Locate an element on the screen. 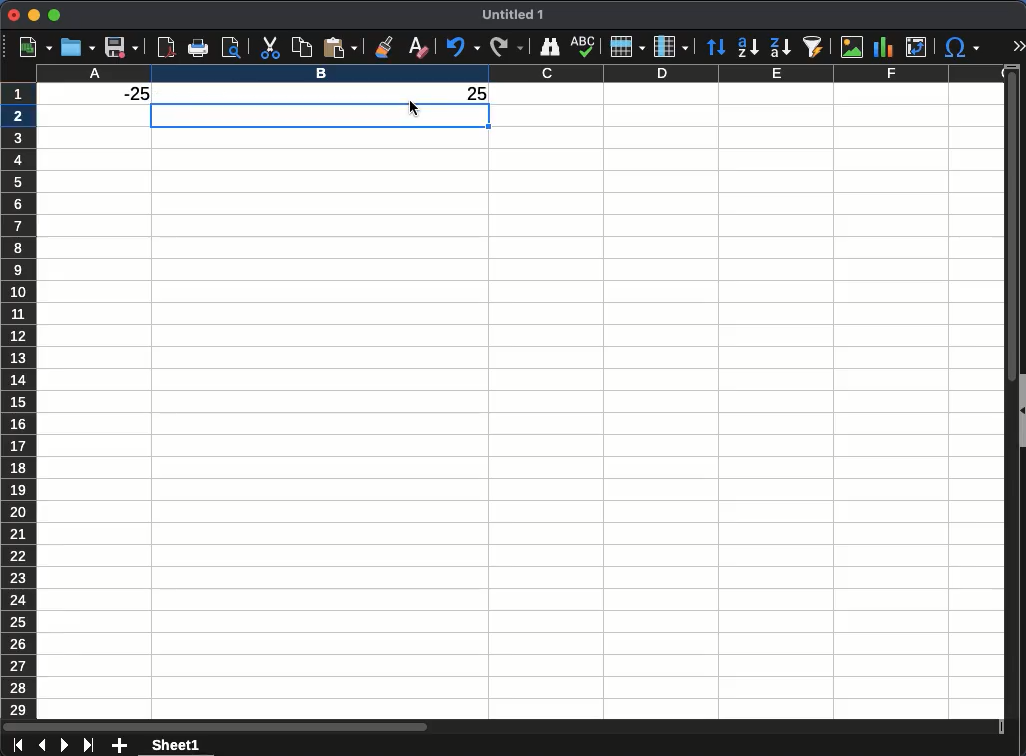 This screenshot has height=756, width=1026. previous sheet is located at coordinates (44, 746).